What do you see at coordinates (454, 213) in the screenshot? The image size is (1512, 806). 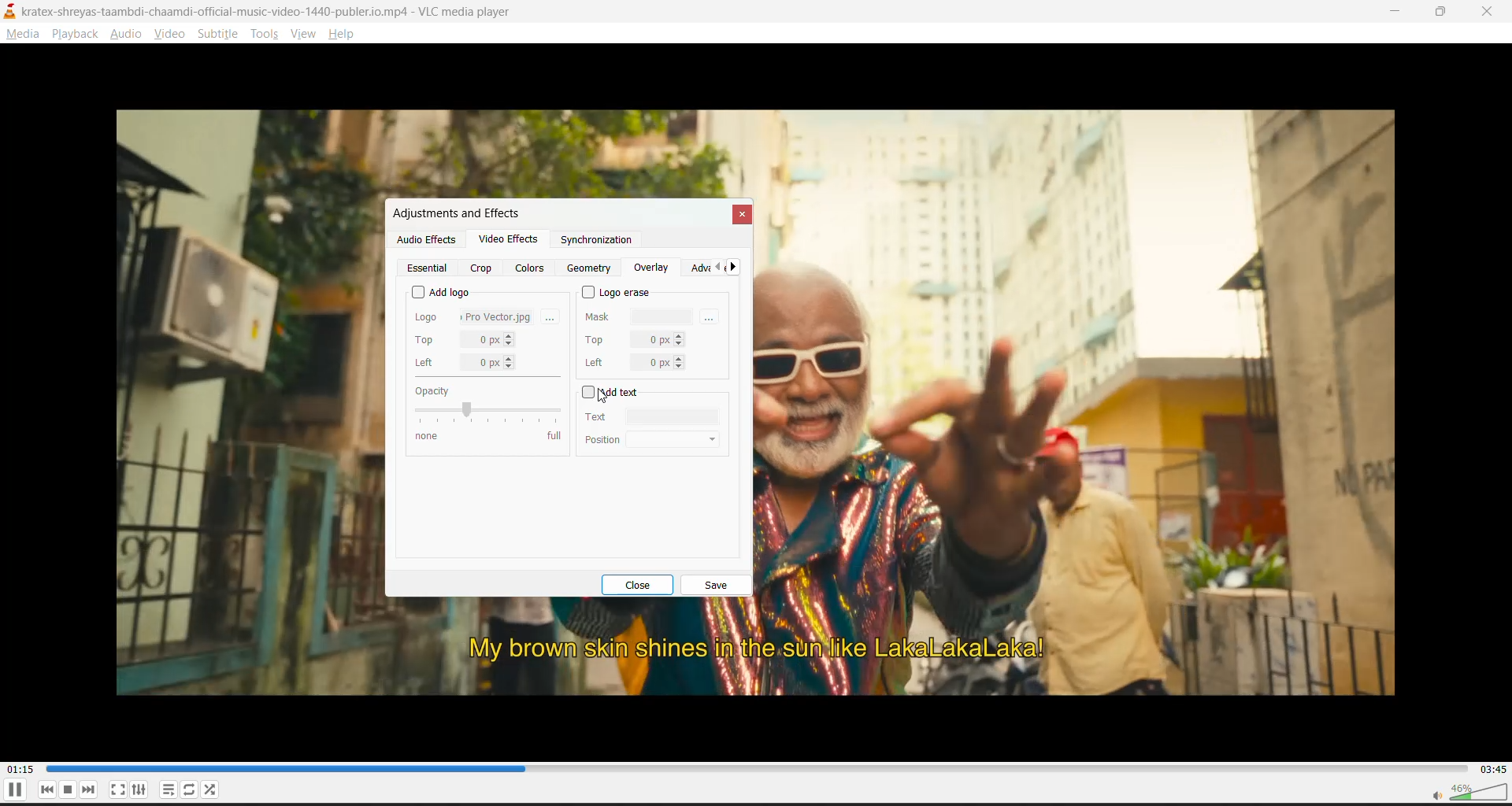 I see `adjustments and effects` at bounding box center [454, 213].